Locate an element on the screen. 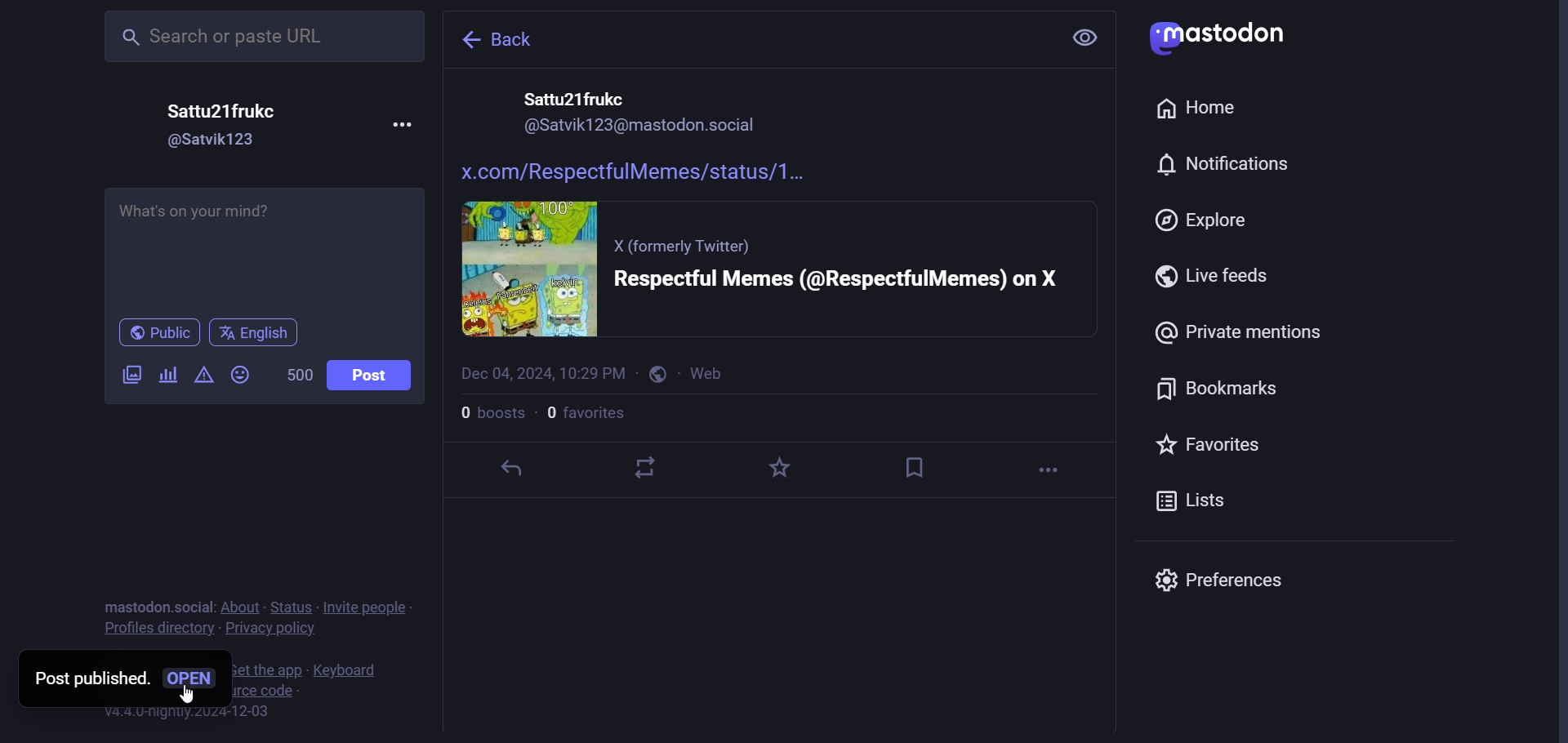 This screenshot has height=743, width=1568. social is located at coordinates (195, 606).